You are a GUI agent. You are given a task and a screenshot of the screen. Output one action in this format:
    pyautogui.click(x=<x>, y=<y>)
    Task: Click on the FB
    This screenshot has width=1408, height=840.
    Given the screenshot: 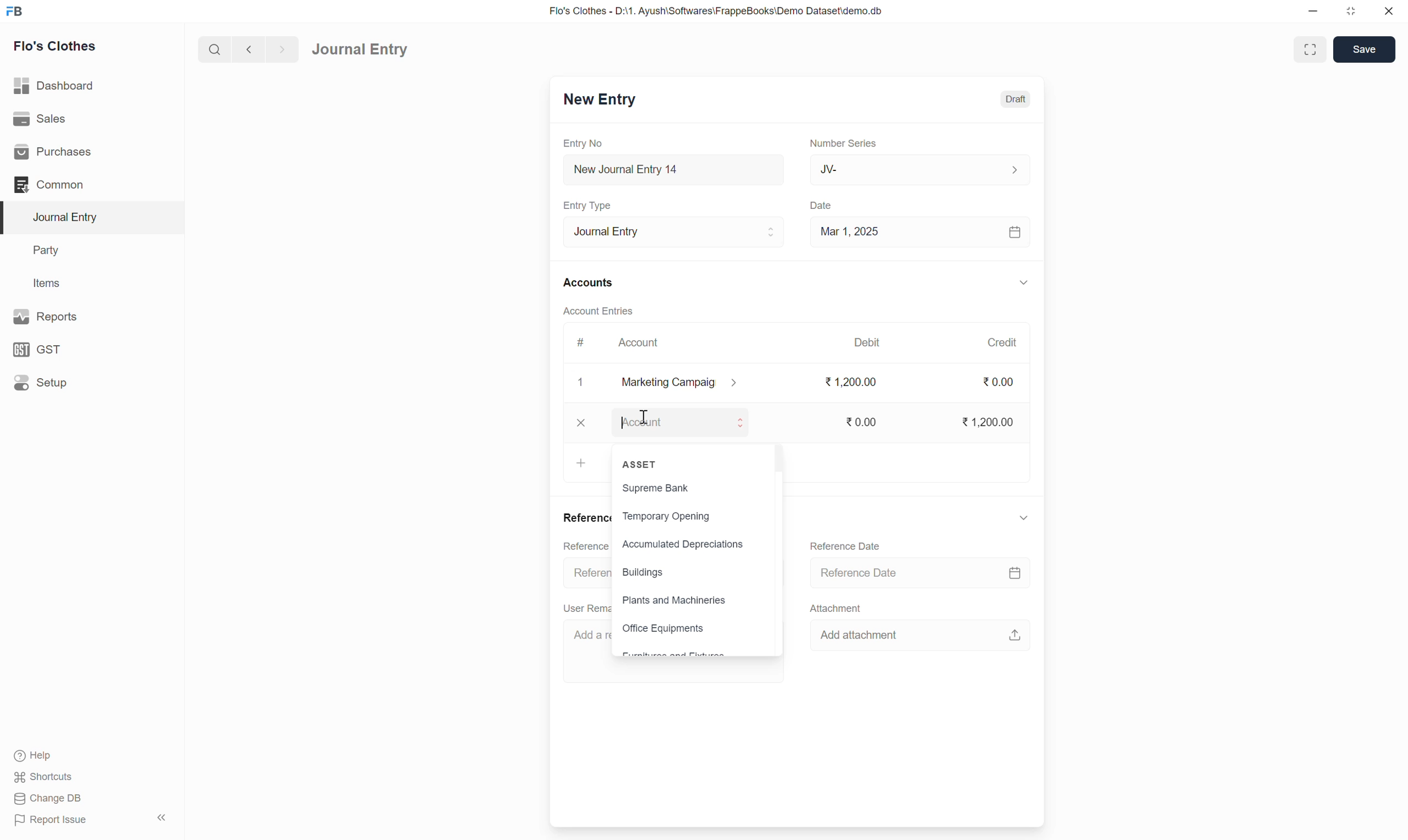 What is the action you would take?
    pyautogui.click(x=15, y=11)
    